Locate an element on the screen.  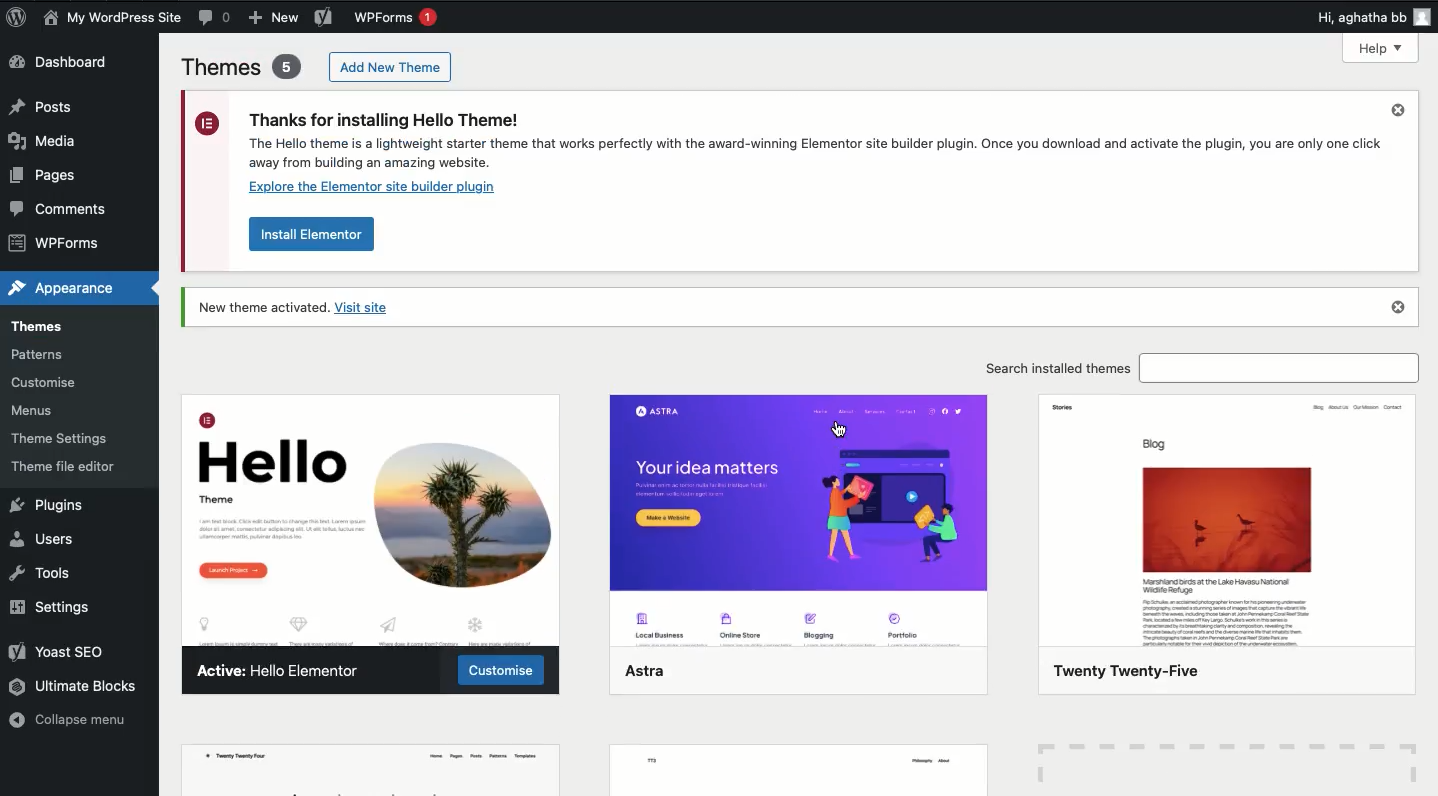
New theme activated  is located at coordinates (304, 308).